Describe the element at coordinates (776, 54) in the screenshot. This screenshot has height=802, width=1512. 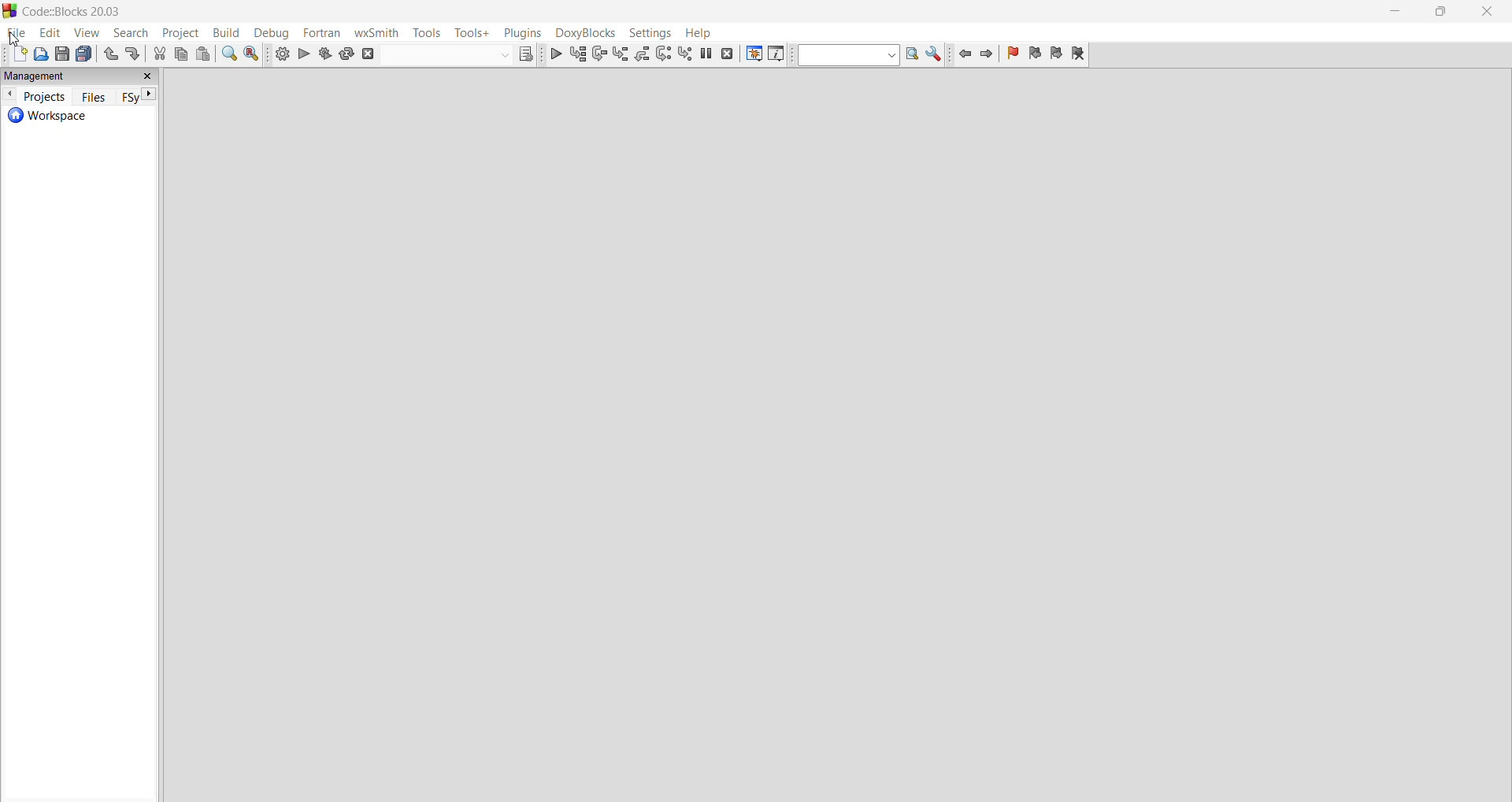
I see `various info` at that location.